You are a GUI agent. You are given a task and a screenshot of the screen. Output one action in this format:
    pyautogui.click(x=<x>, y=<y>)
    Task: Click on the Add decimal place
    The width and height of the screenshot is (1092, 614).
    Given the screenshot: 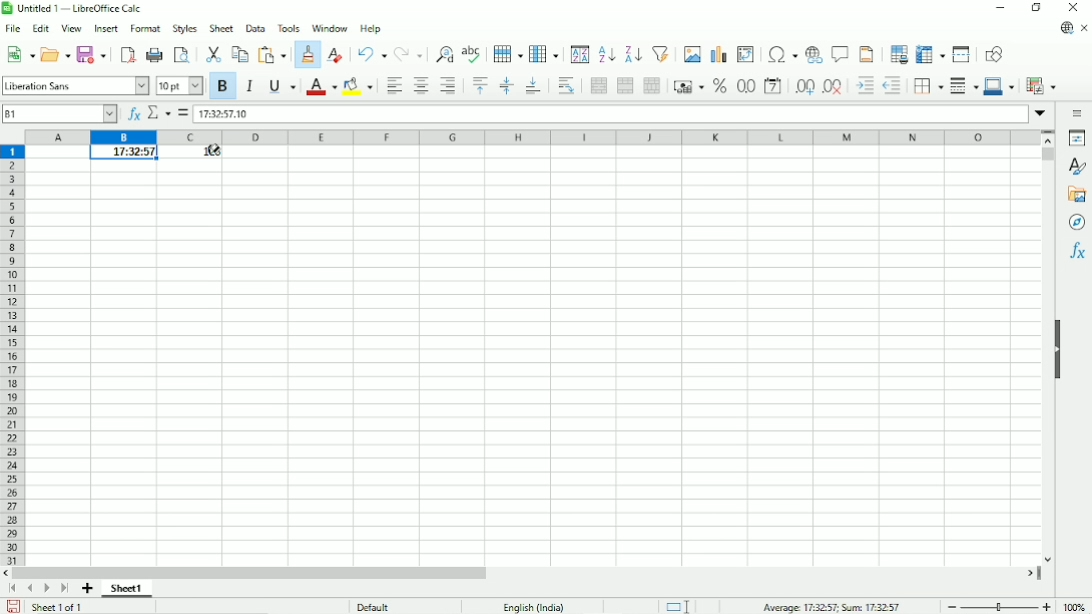 What is the action you would take?
    pyautogui.click(x=803, y=89)
    